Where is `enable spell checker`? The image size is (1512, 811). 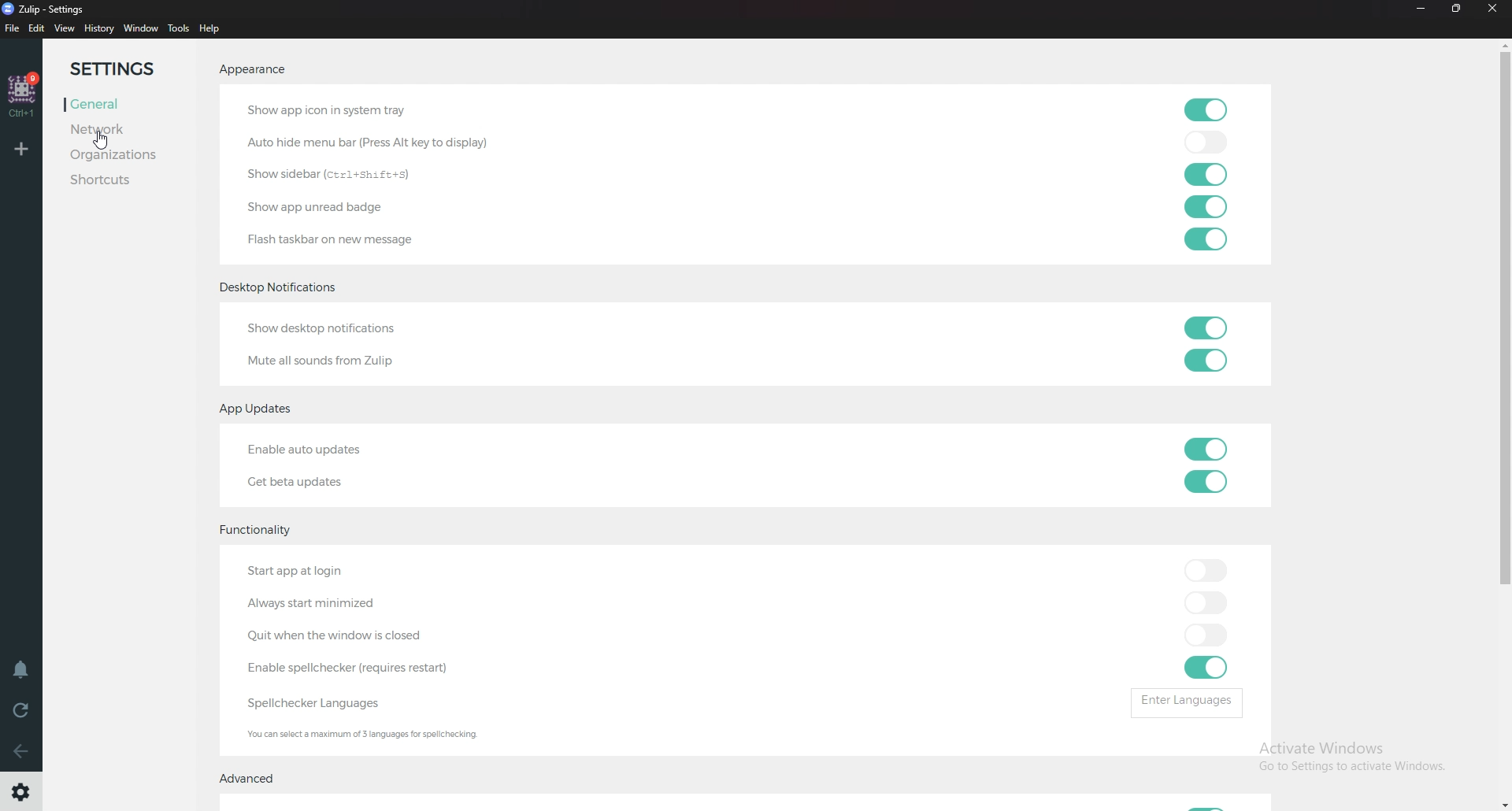
enable spell checker is located at coordinates (353, 668).